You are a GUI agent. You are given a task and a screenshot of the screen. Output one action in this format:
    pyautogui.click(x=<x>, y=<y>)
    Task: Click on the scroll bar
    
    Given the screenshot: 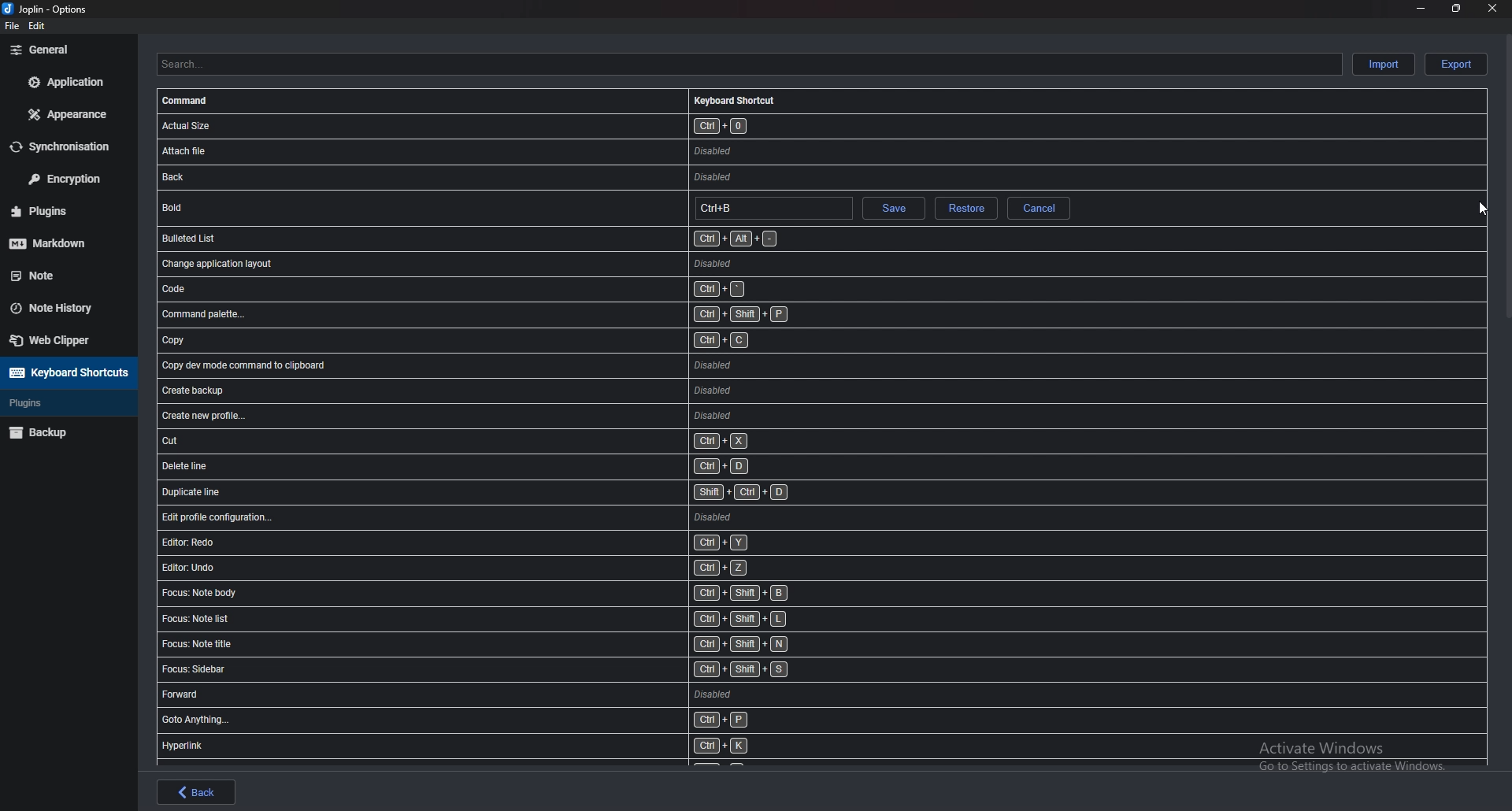 What is the action you would take?
    pyautogui.click(x=1506, y=178)
    